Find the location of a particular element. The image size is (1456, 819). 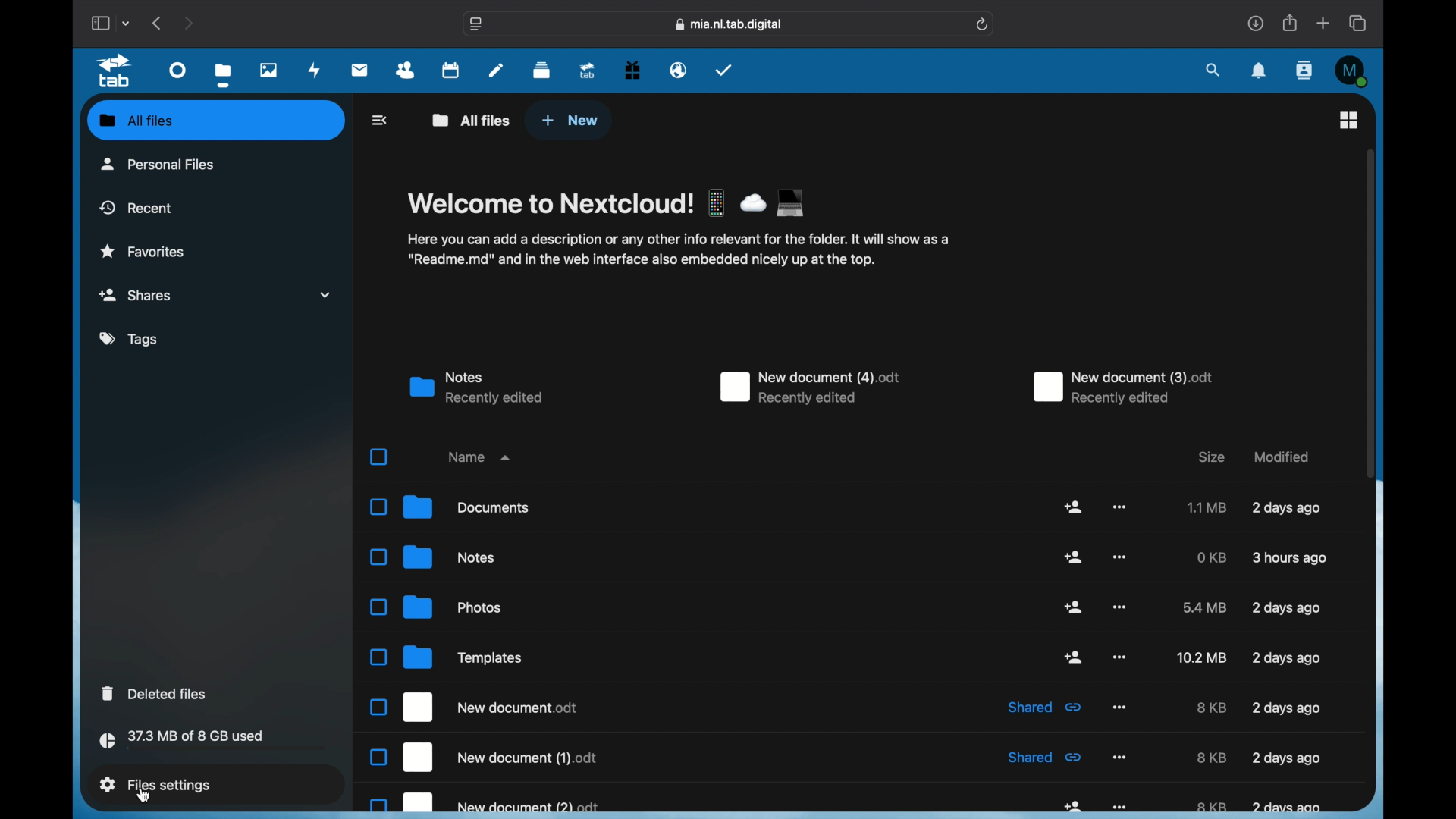

modified is located at coordinates (1279, 455).